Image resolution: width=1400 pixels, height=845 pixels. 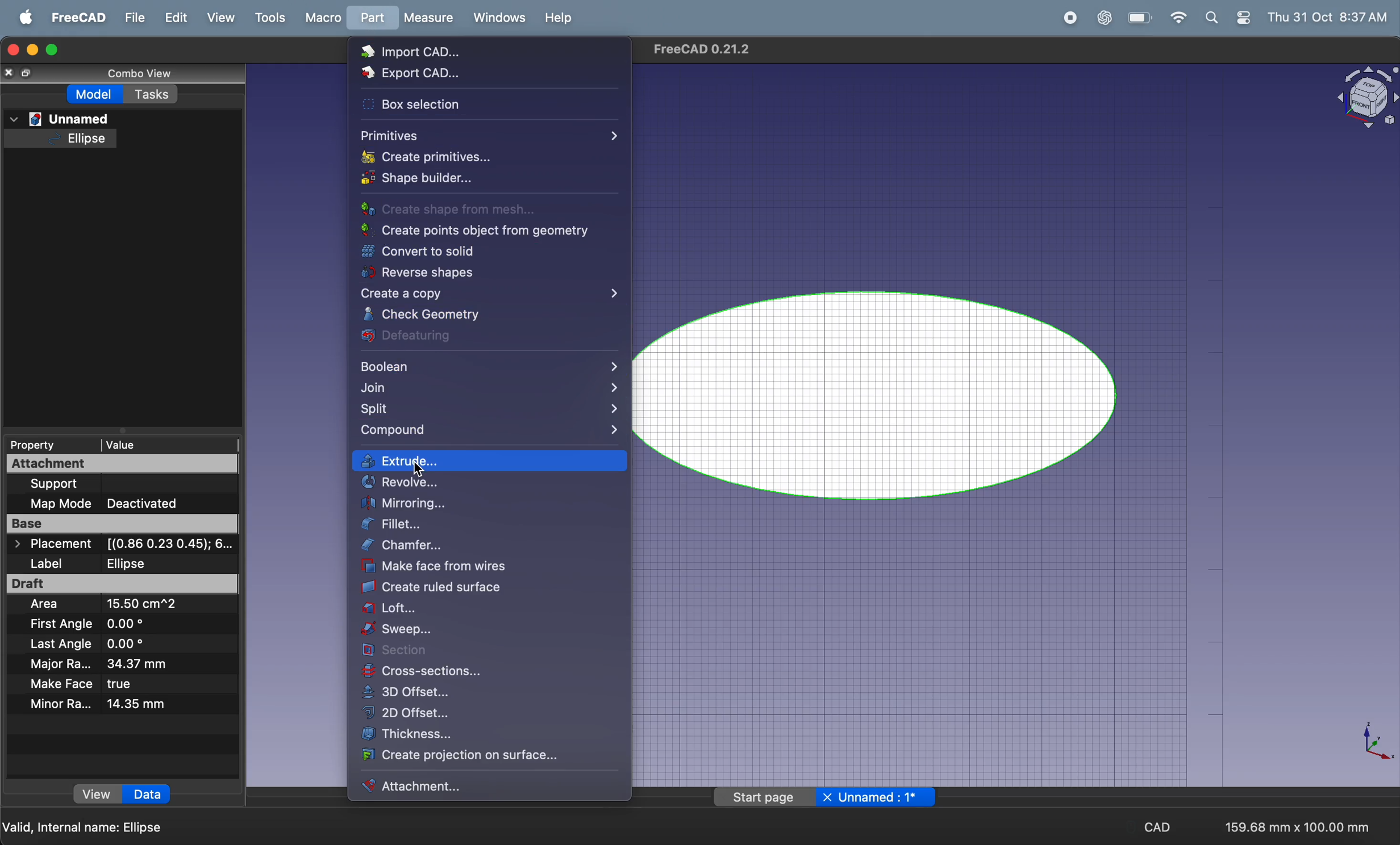 What do you see at coordinates (434, 672) in the screenshot?
I see `cross section` at bounding box center [434, 672].